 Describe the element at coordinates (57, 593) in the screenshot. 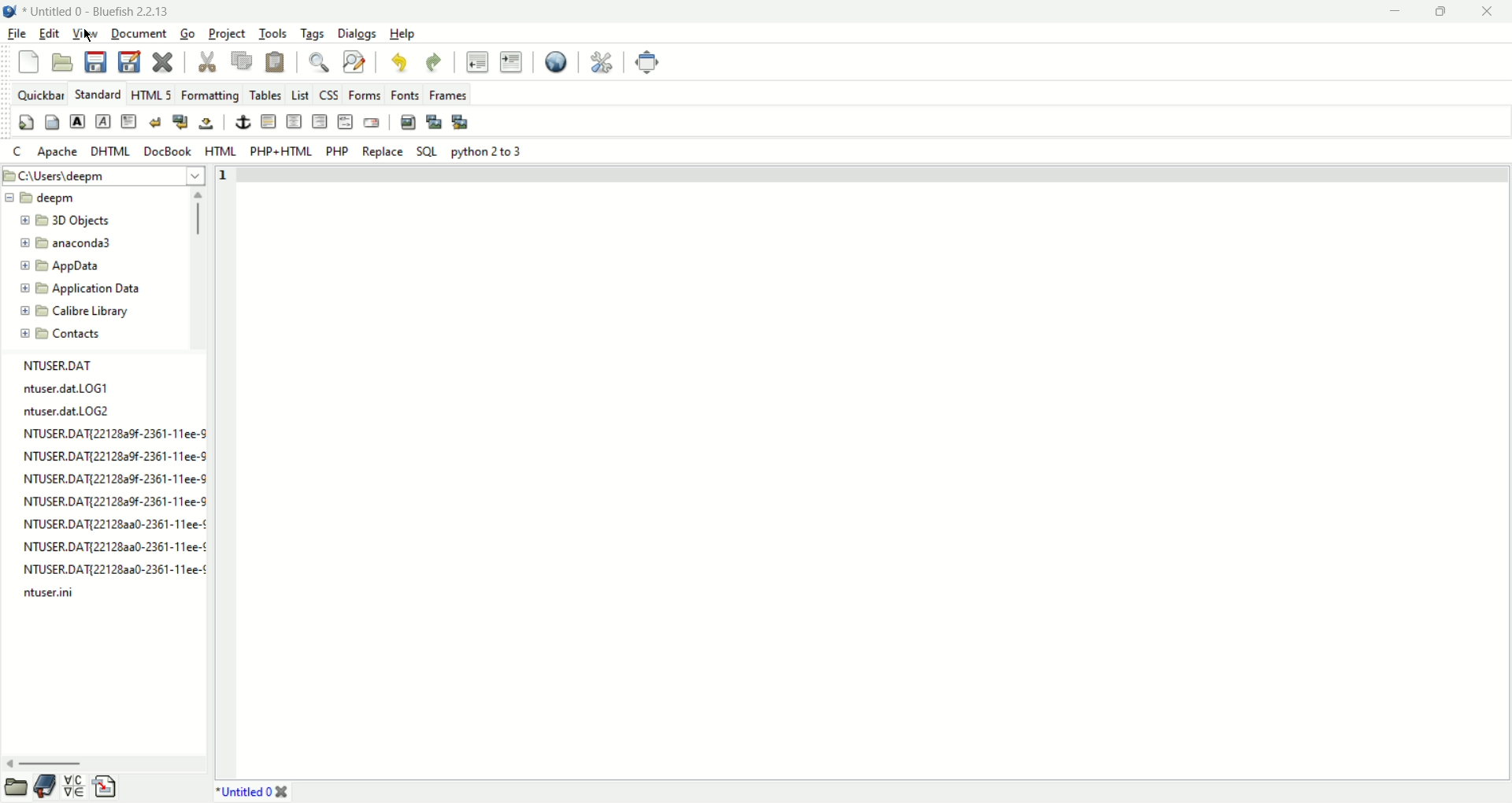

I see `ntuser.ini` at that location.